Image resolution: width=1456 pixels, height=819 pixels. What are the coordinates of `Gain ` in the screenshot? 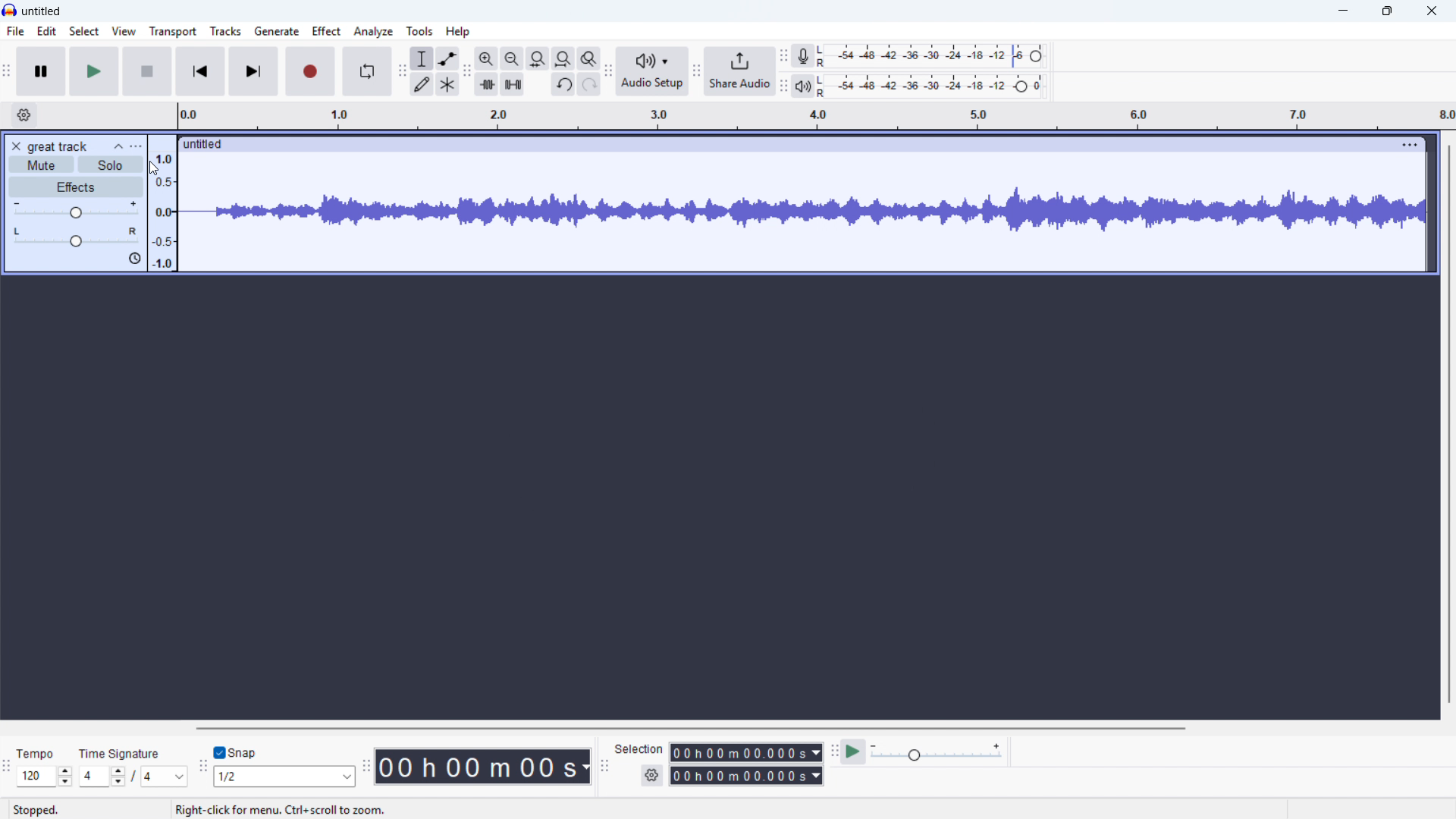 It's located at (77, 209).